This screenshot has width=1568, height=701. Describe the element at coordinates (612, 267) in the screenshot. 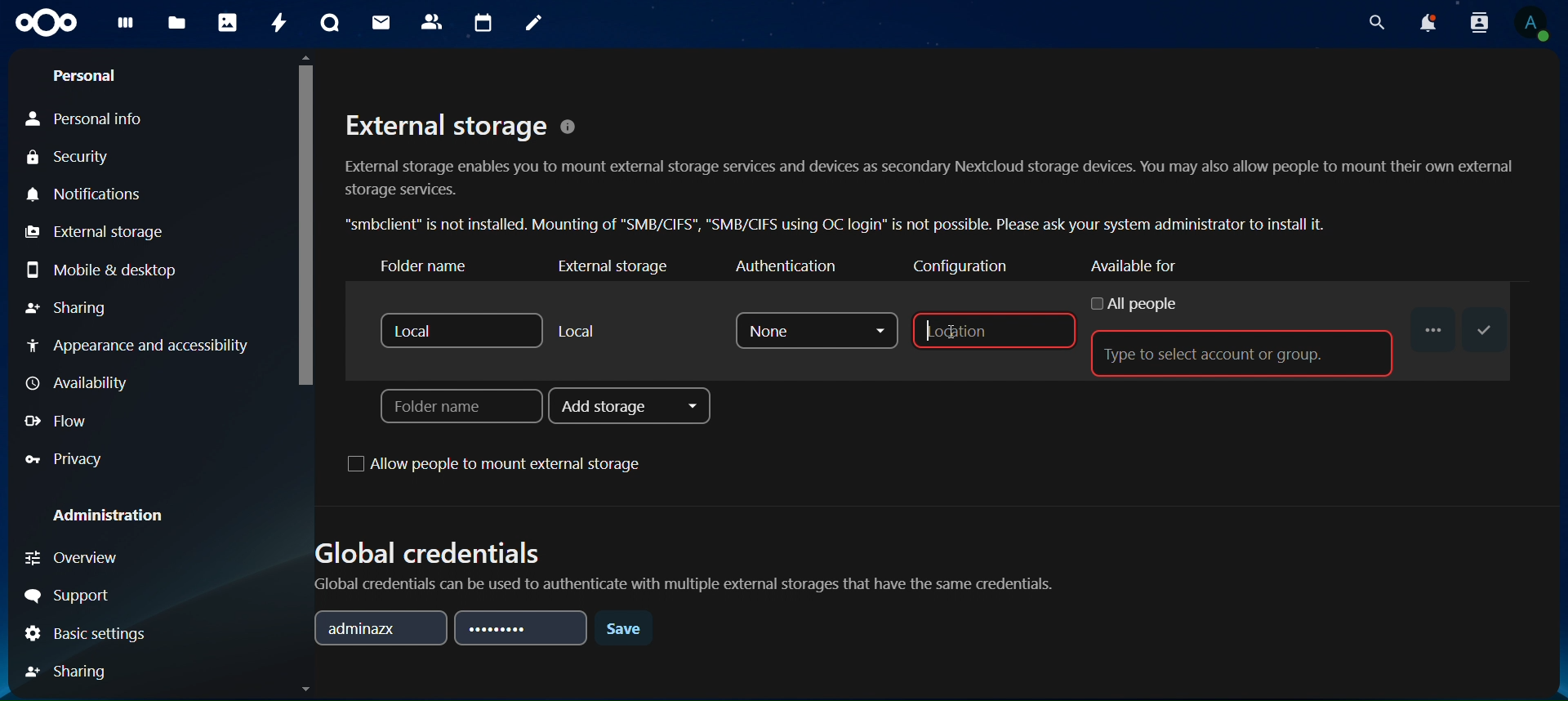

I see `external storage` at that location.